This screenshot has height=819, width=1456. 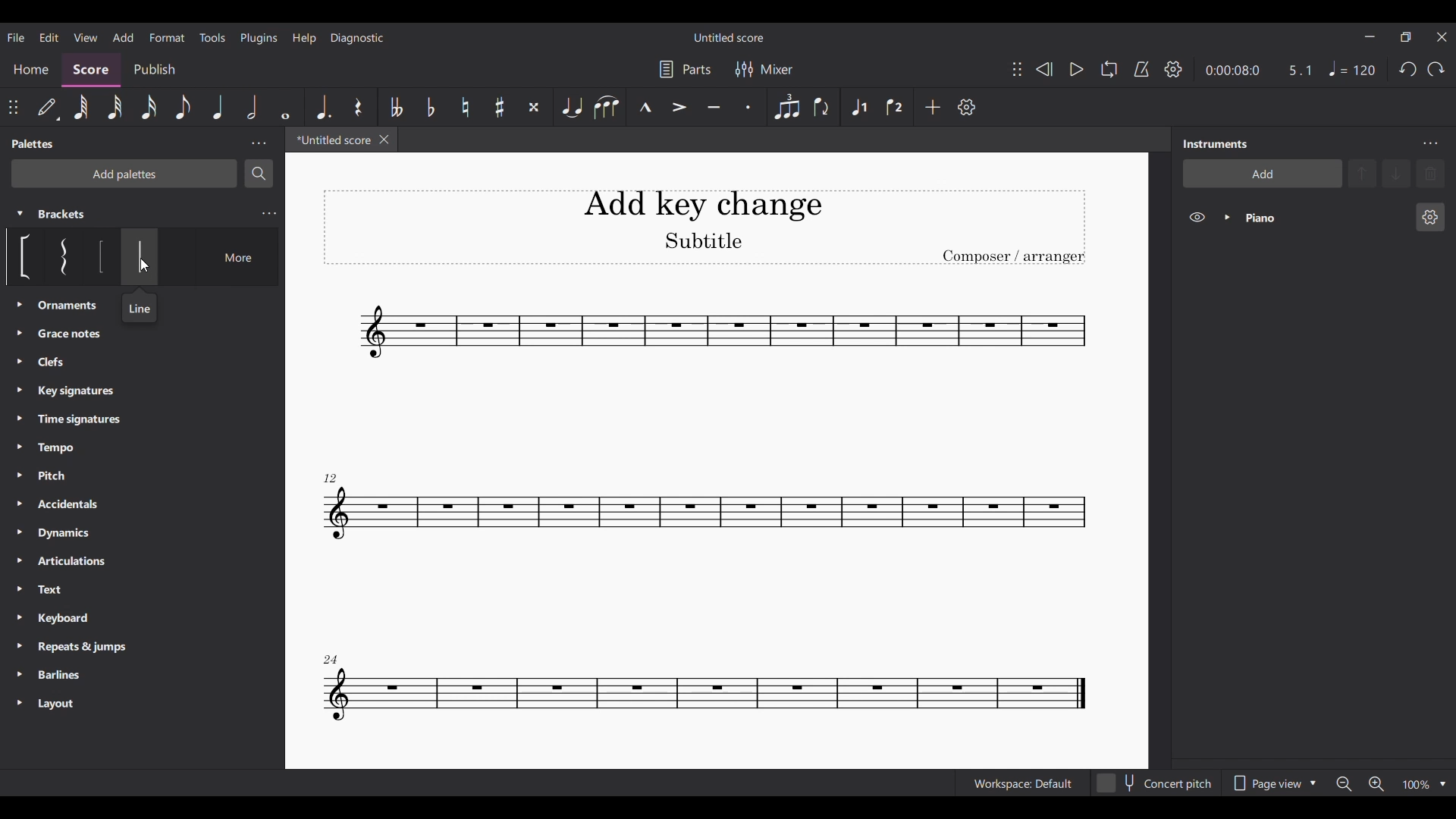 I want to click on Accent, so click(x=679, y=105).